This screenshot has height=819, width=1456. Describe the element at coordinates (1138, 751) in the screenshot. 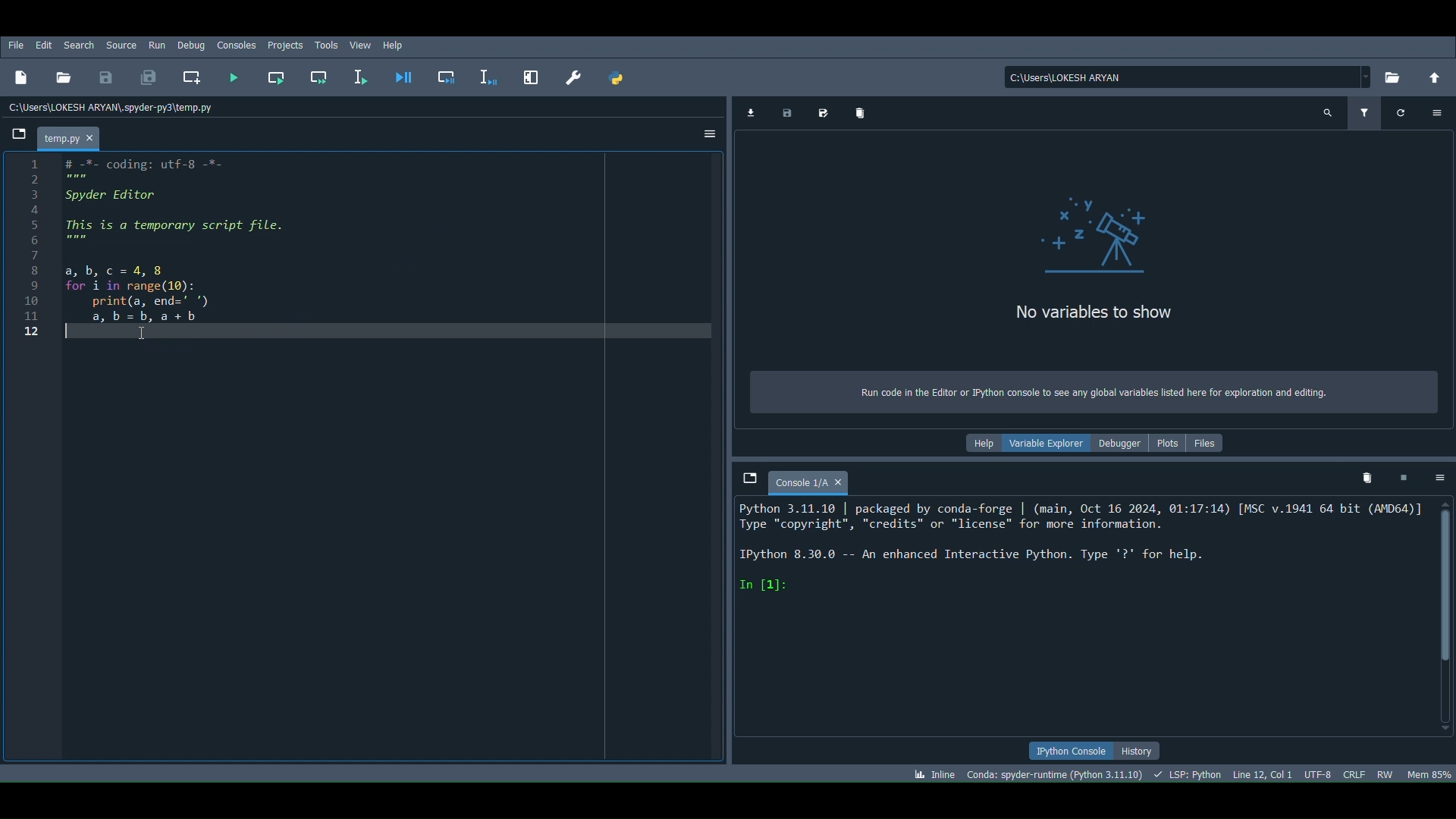

I see `History` at that location.